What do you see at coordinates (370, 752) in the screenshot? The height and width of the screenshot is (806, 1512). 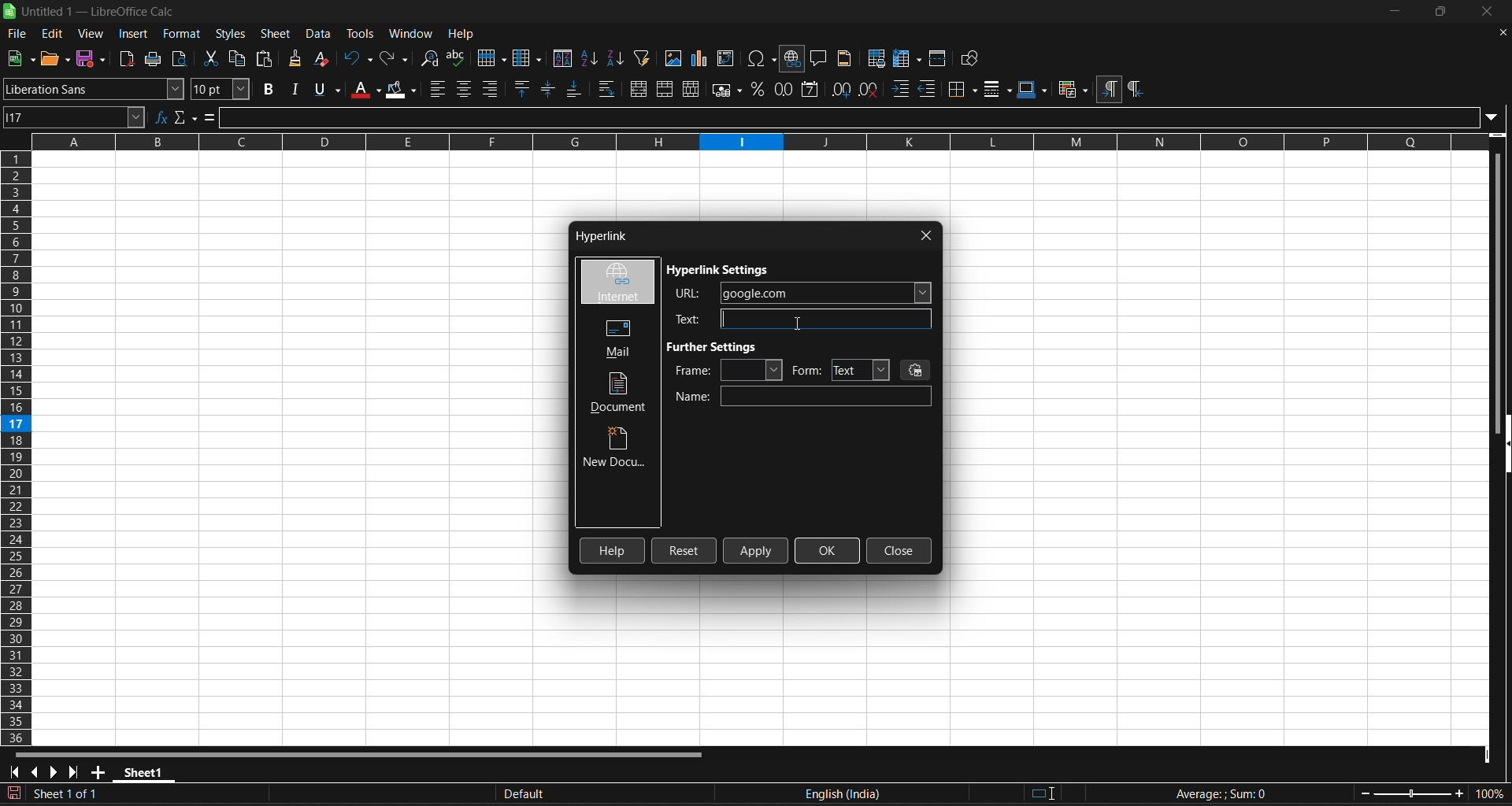 I see `horizontal scroll bar` at bounding box center [370, 752].